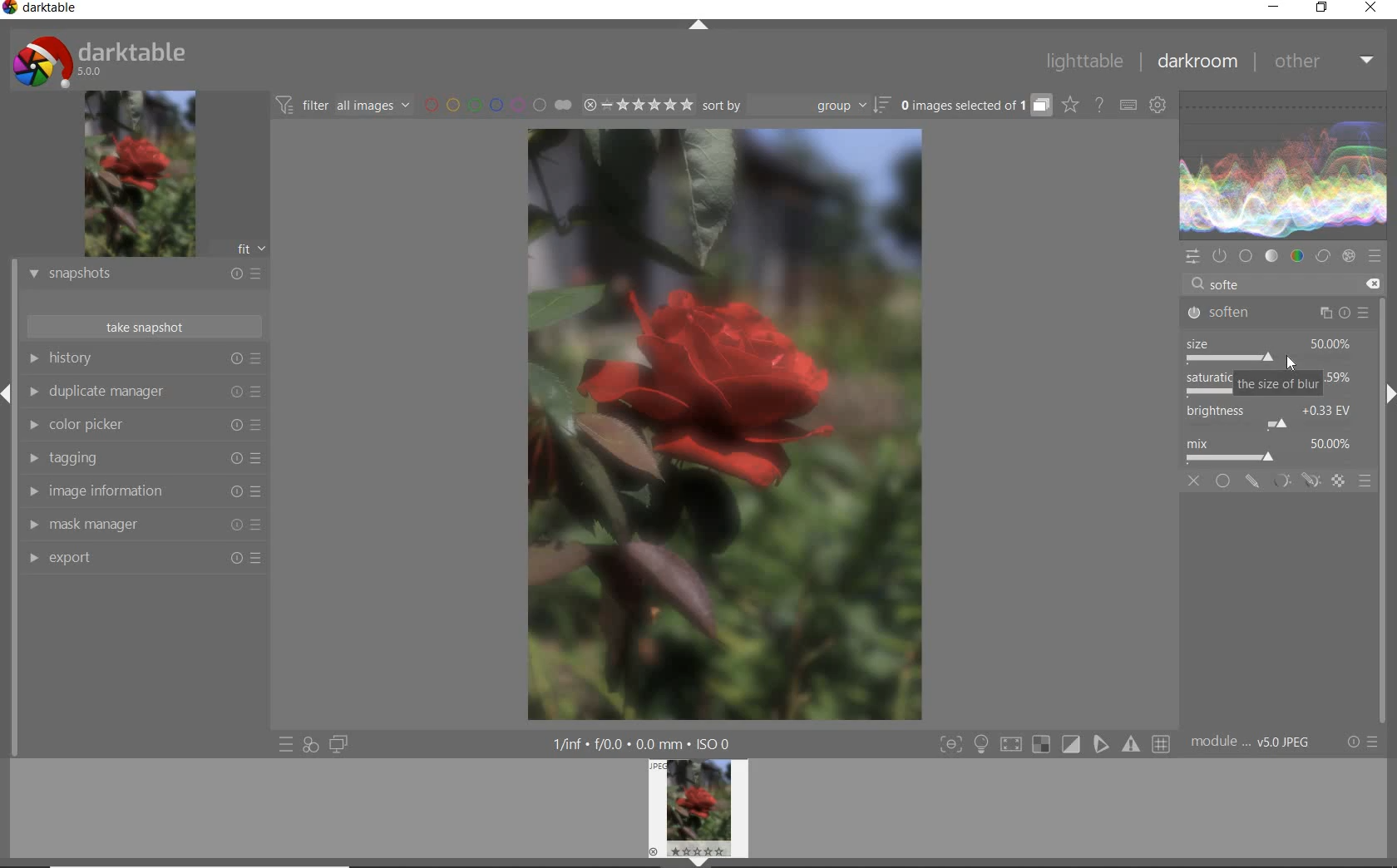 The width and height of the screenshot is (1397, 868). What do you see at coordinates (144, 327) in the screenshot?
I see `take snapshot` at bounding box center [144, 327].